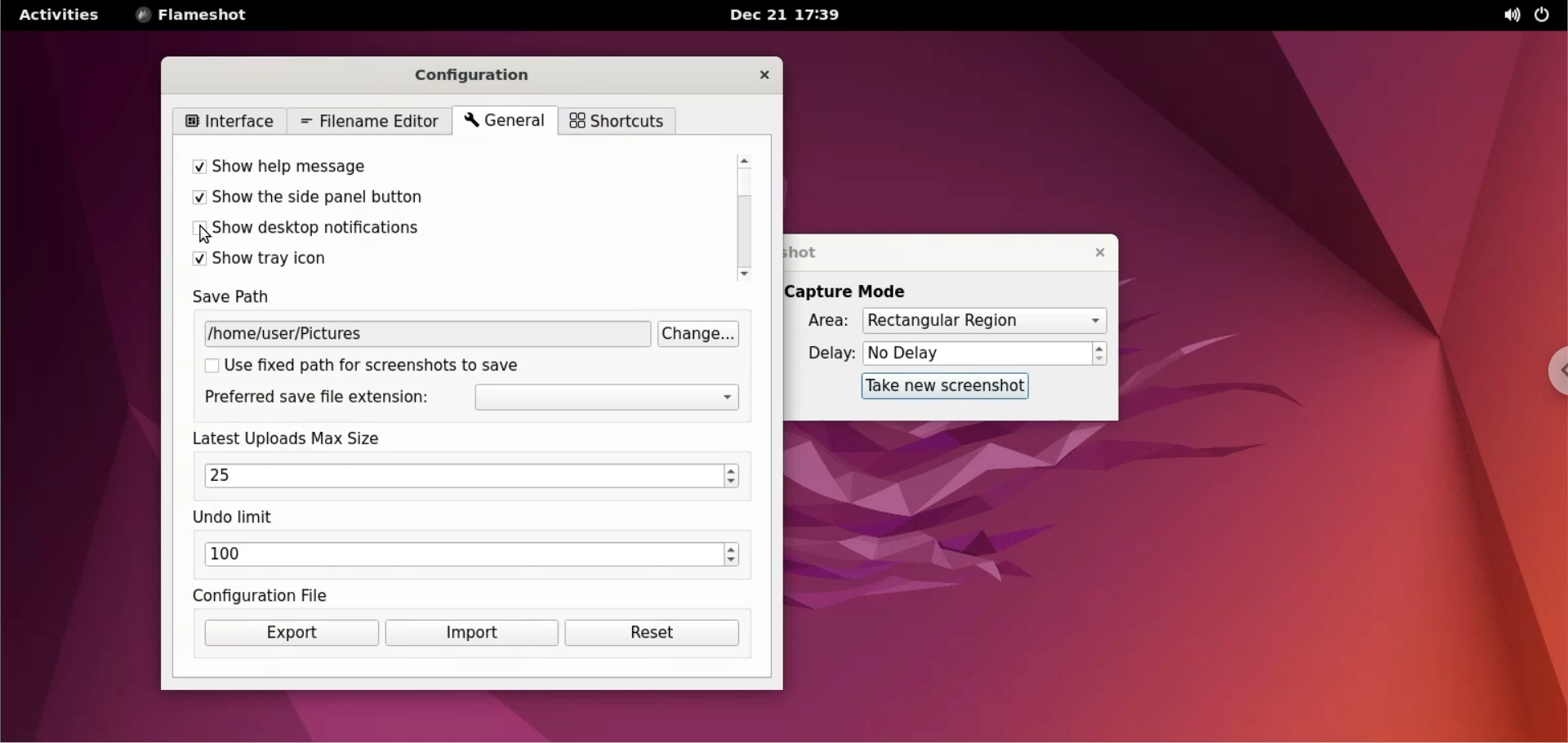  I want to click on path text box, so click(428, 334).